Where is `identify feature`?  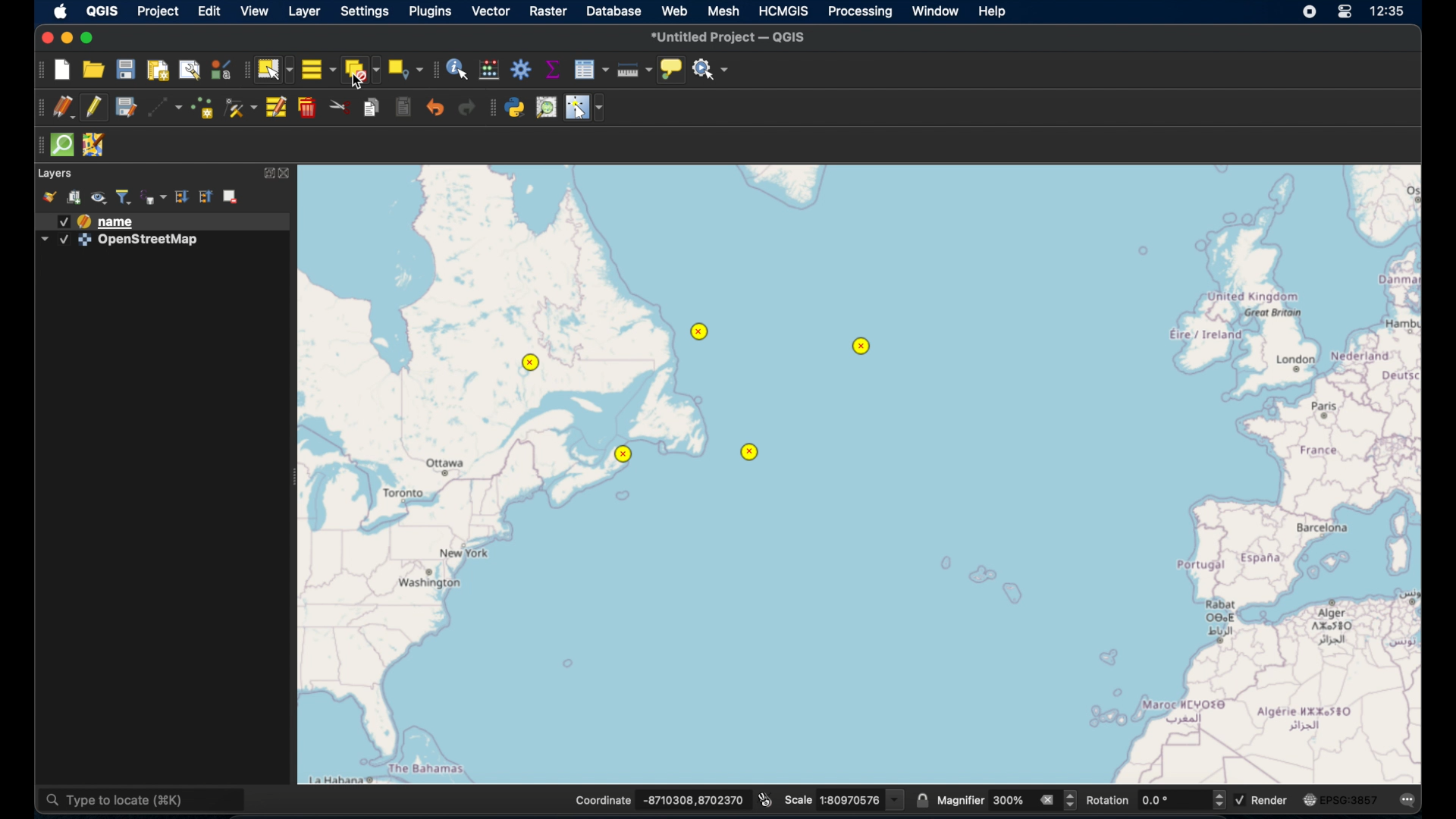 identify feature is located at coordinates (457, 70).